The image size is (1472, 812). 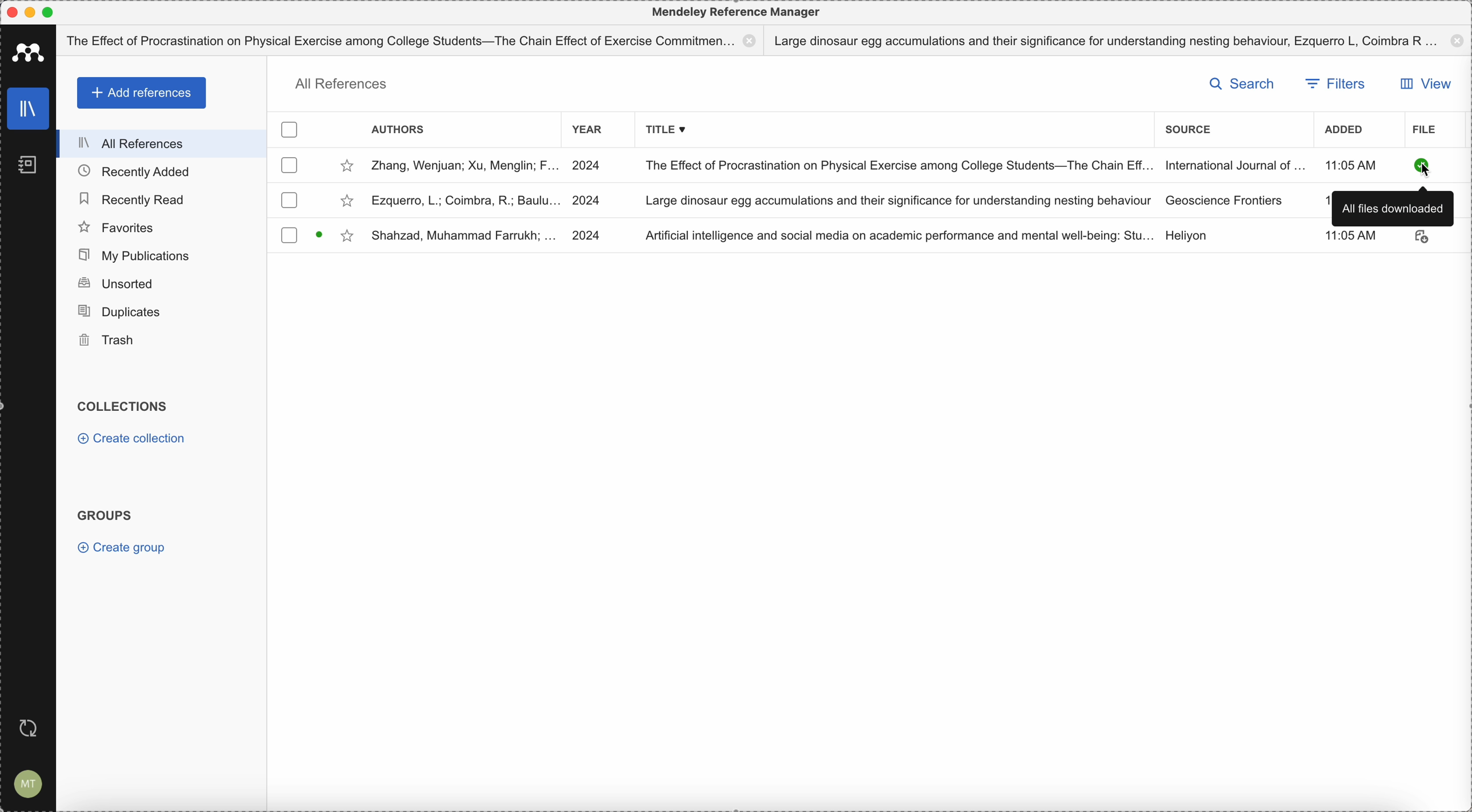 I want to click on maximize, so click(x=49, y=13).